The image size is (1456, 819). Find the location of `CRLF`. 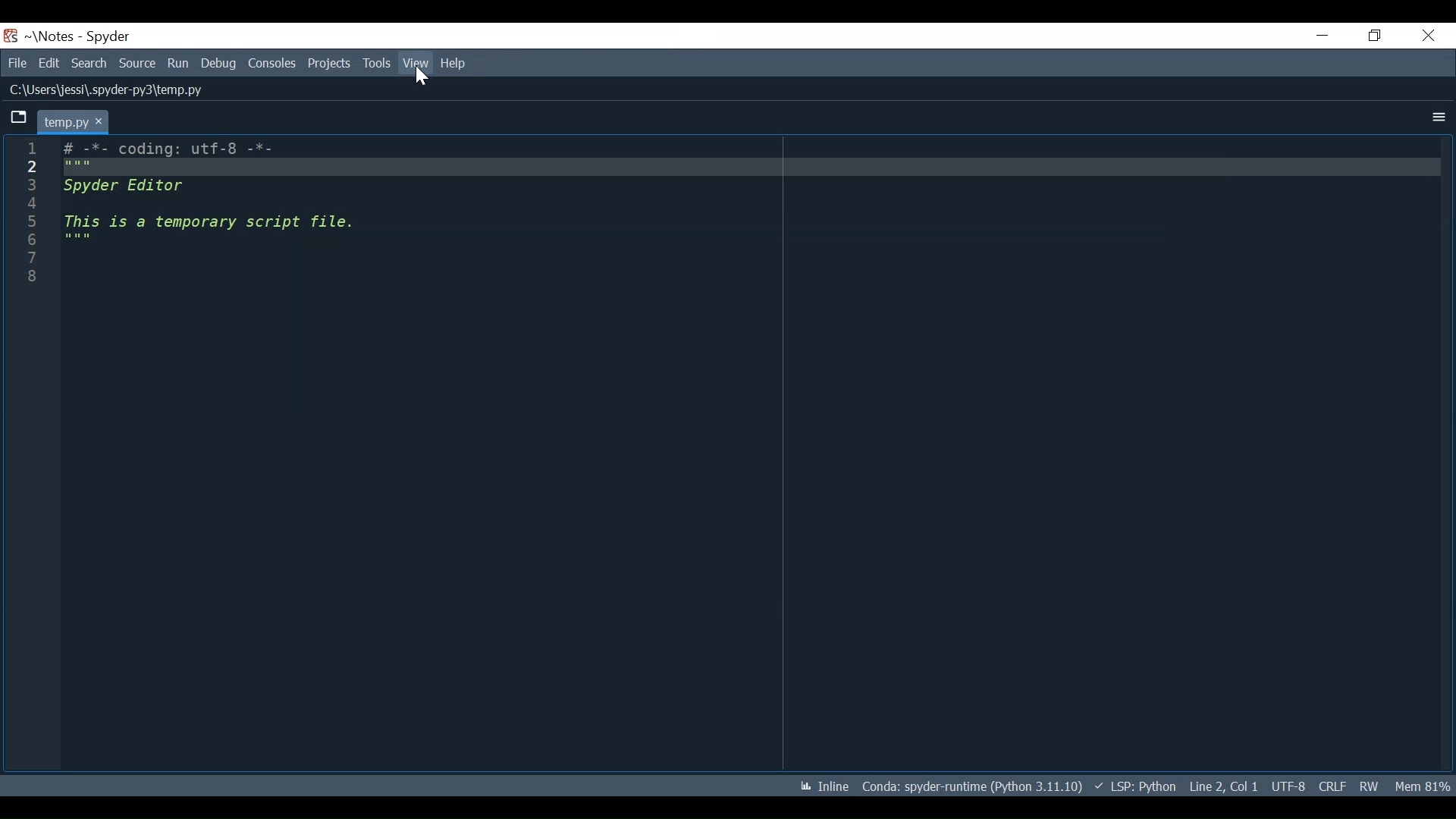

CRLF is located at coordinates (1332, 786).